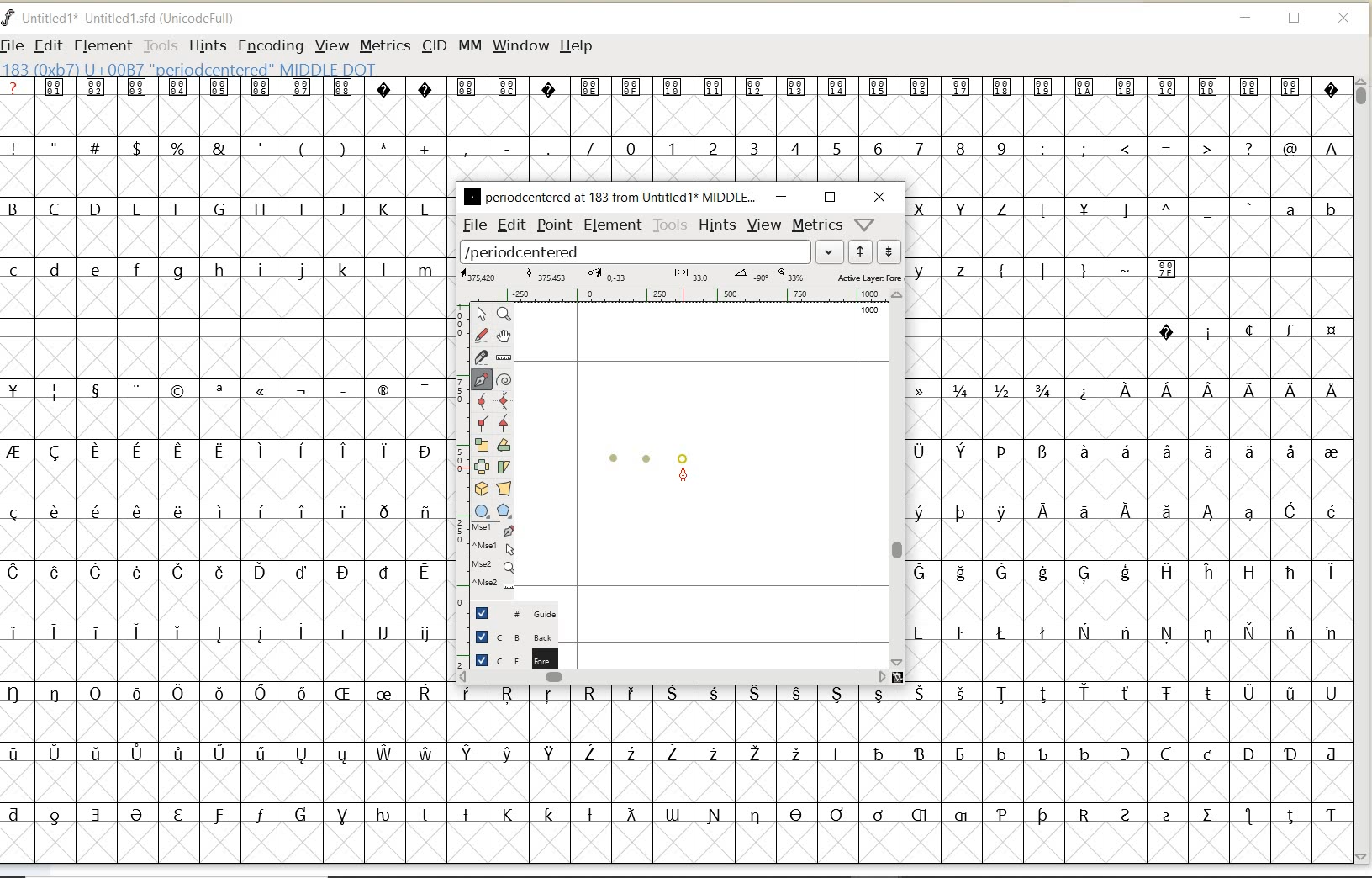  I want to click on TOOLS, so click(161, 45).